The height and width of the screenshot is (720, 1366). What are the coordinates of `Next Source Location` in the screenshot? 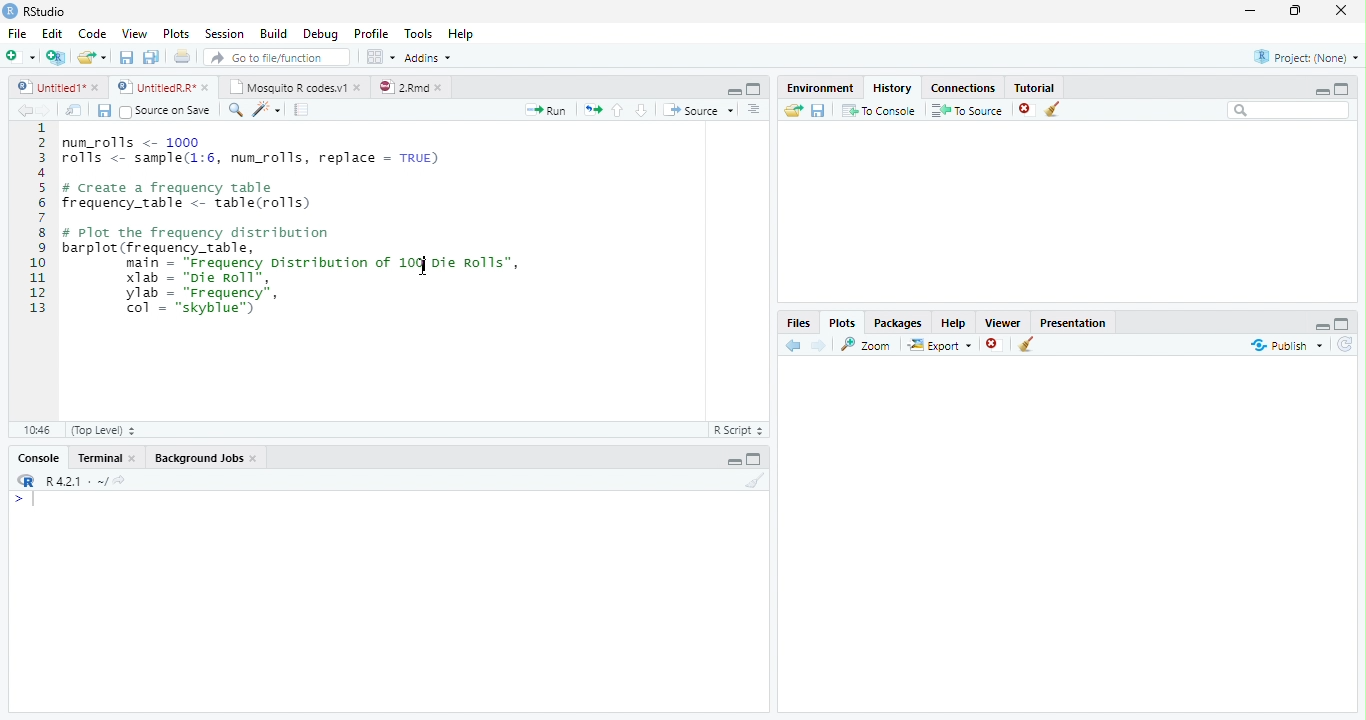 It's located at (45, 109).